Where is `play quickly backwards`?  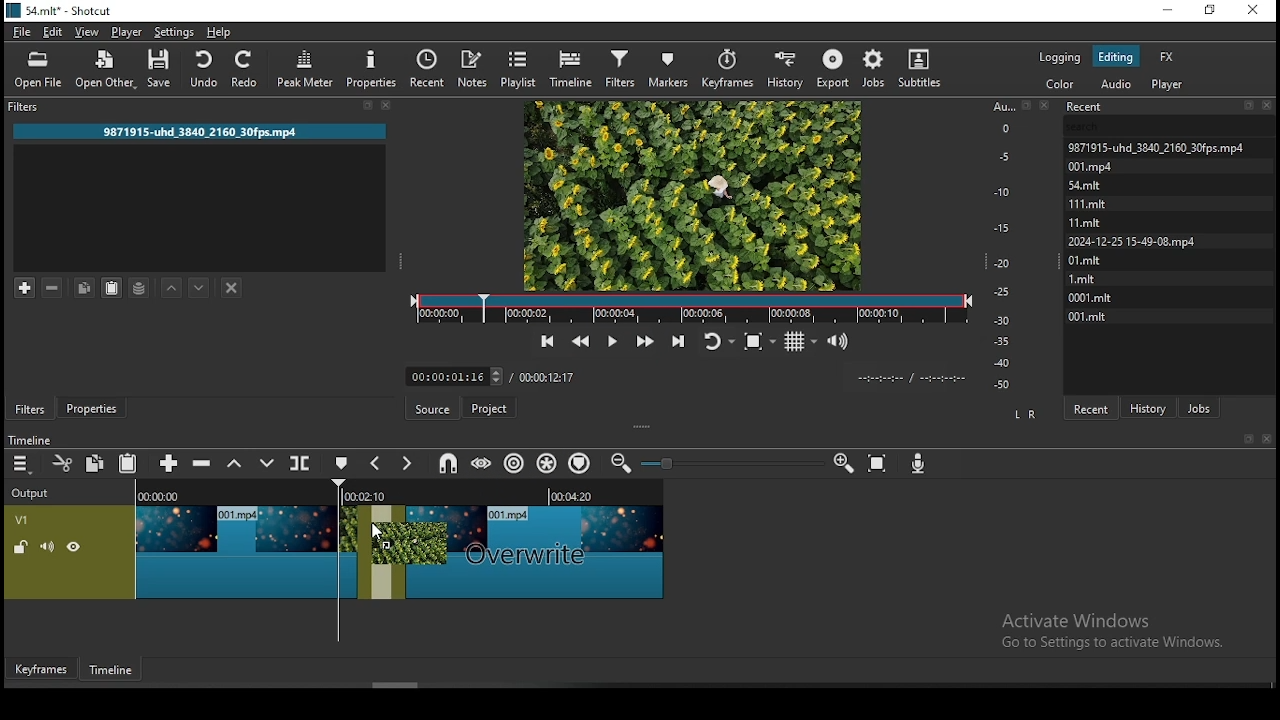 play quickly backwards is located at coordinates (579, 342).